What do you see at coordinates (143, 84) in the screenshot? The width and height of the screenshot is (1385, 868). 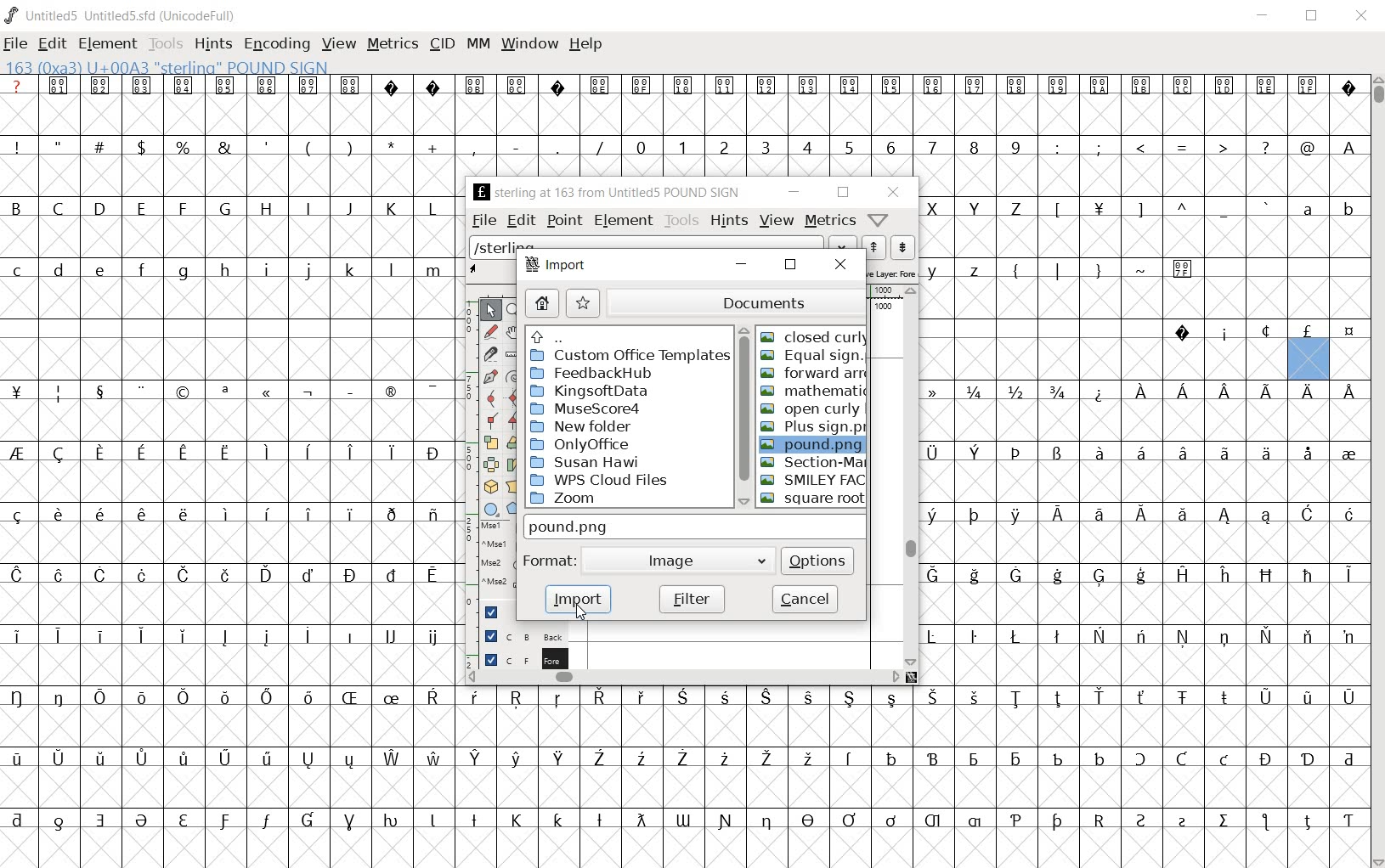 I see `Symbol` at bounding box center [143, 84].